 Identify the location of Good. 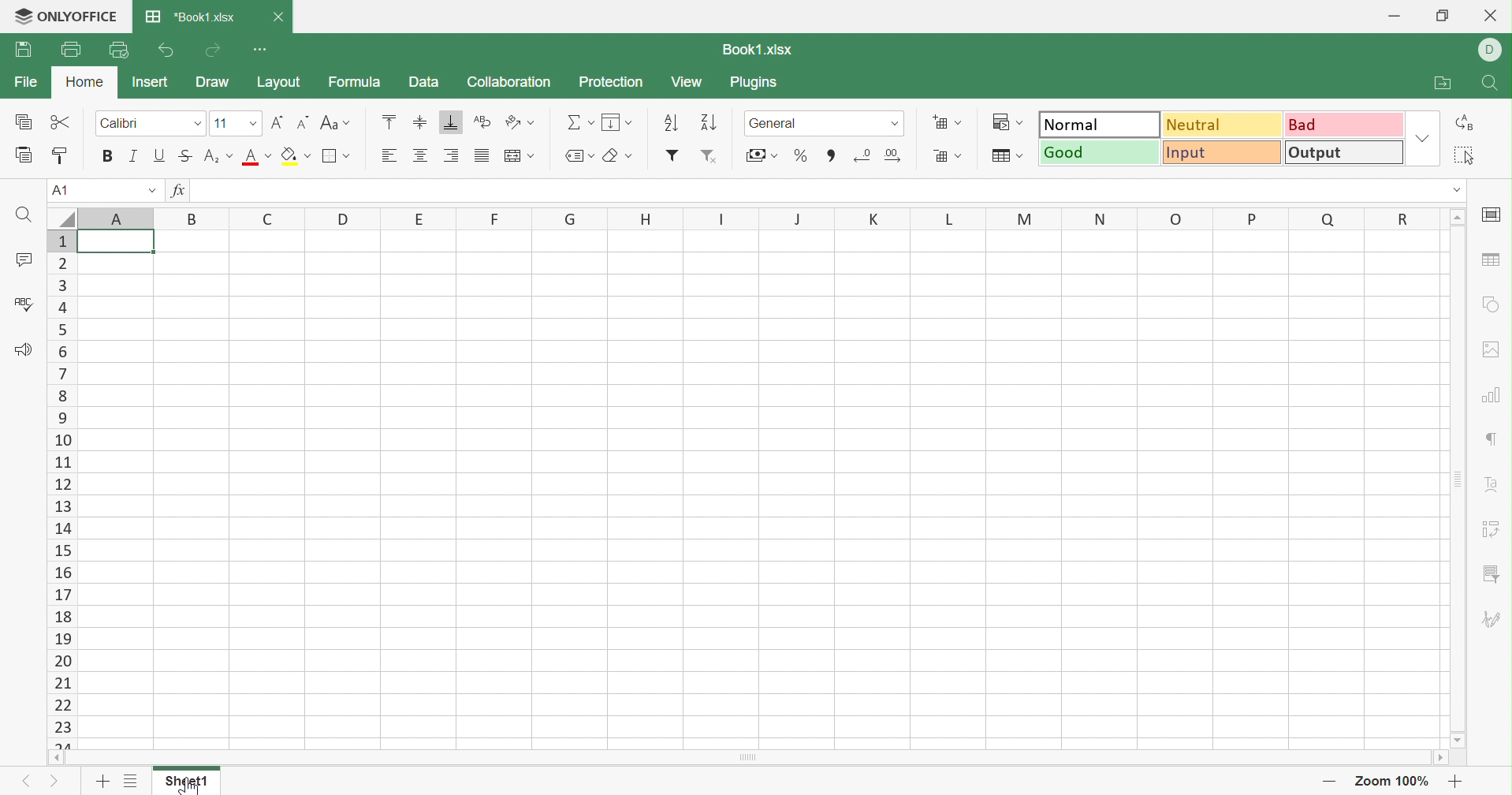
(1101, 152).